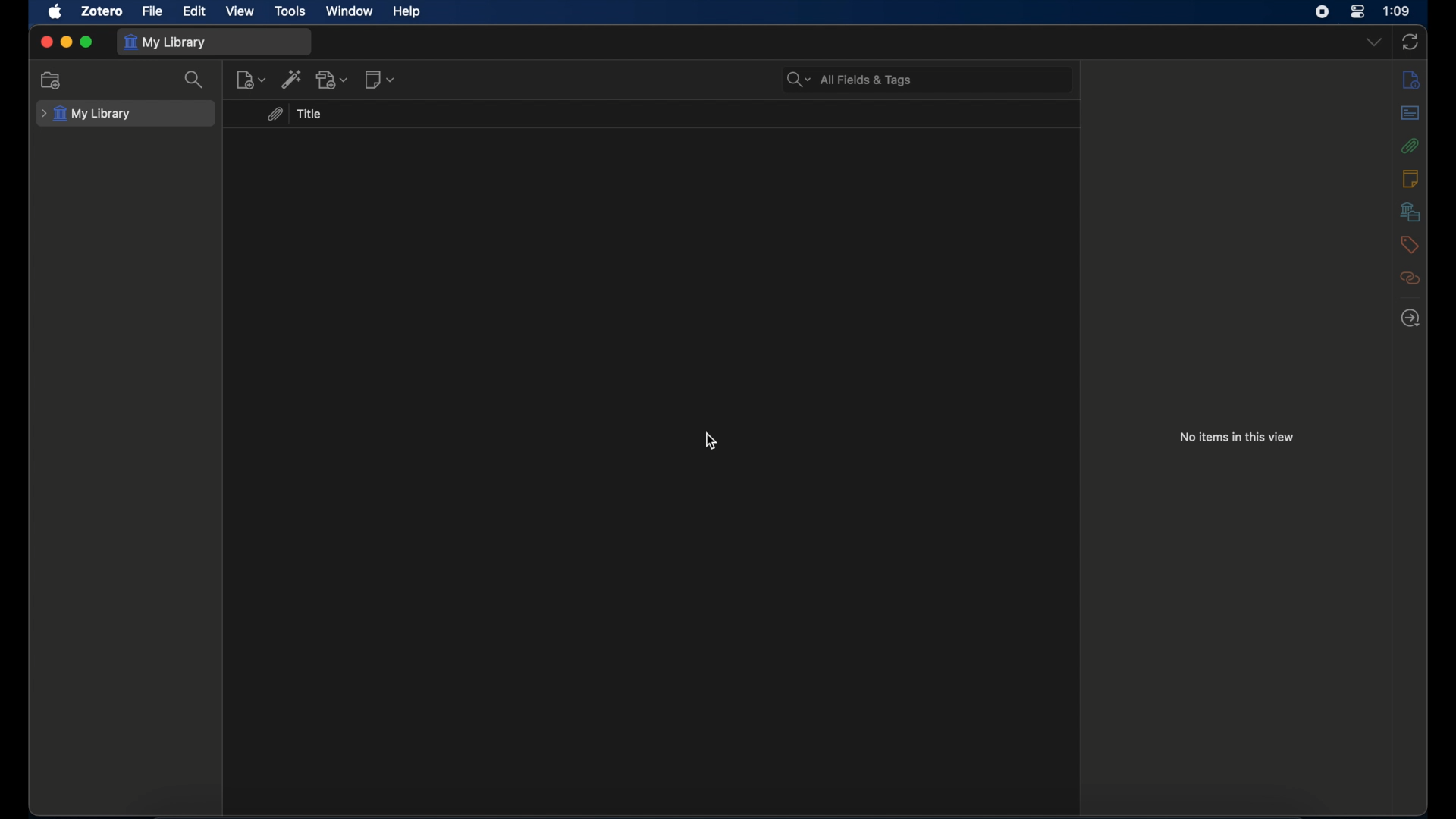 The height and width of the screenshot is (819, 1456). What do you see at coordinates (1409, 146) in the screenshot?
I see `attachments` at bounding box center [1409, 146].